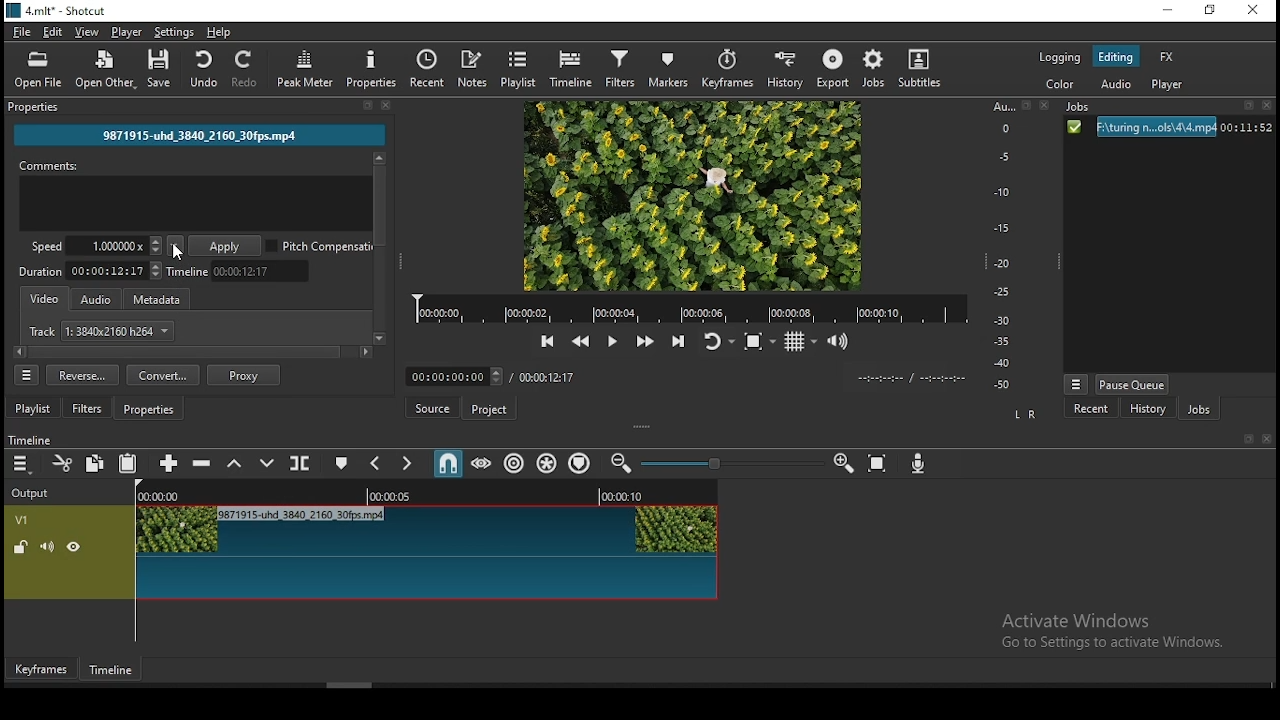  Describe the element at coordinates (199, 133) in the screenshot. I see `File name` at that location.